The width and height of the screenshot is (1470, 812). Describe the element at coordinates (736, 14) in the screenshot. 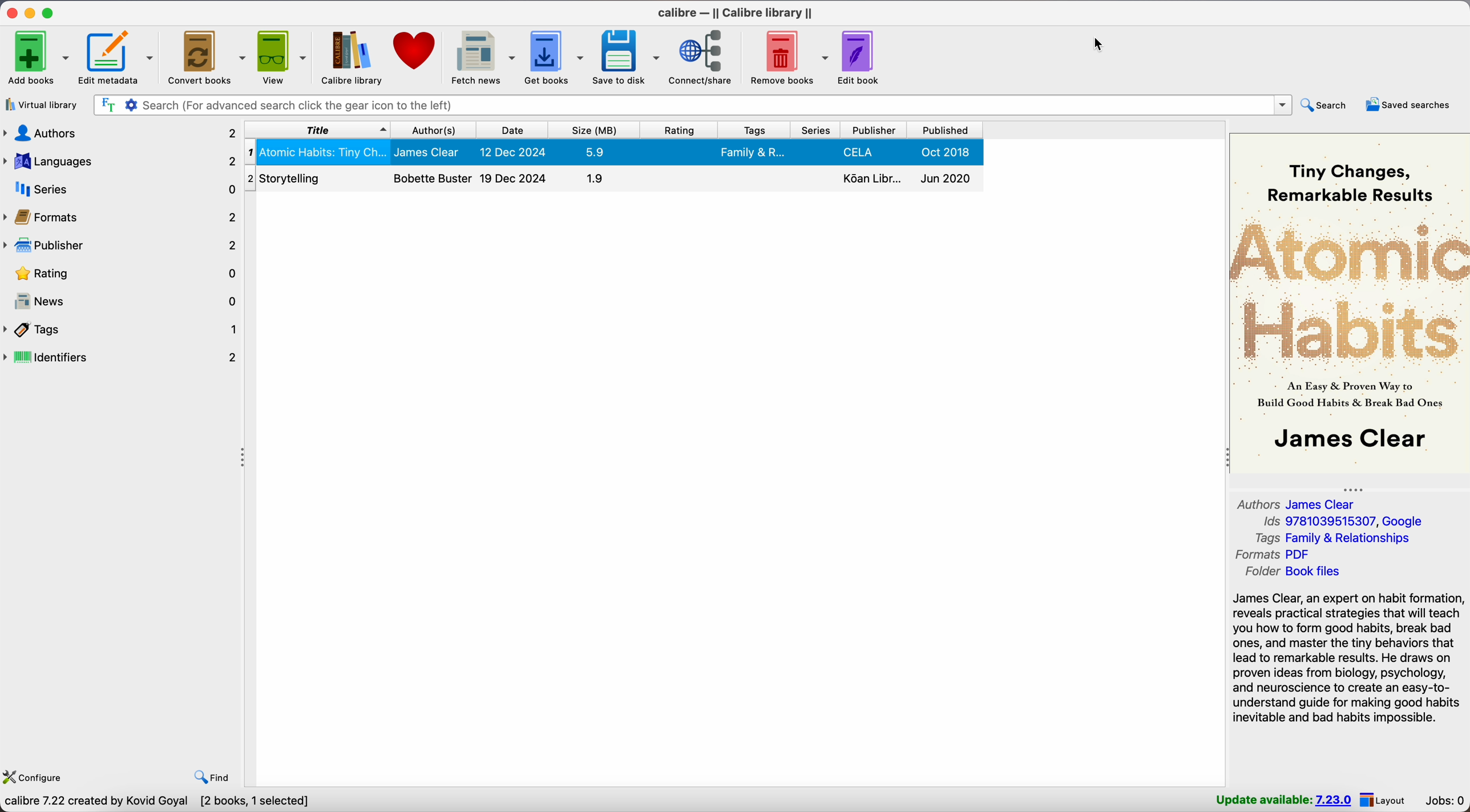

I see `Calibre - || Calibre library ||` at that location.